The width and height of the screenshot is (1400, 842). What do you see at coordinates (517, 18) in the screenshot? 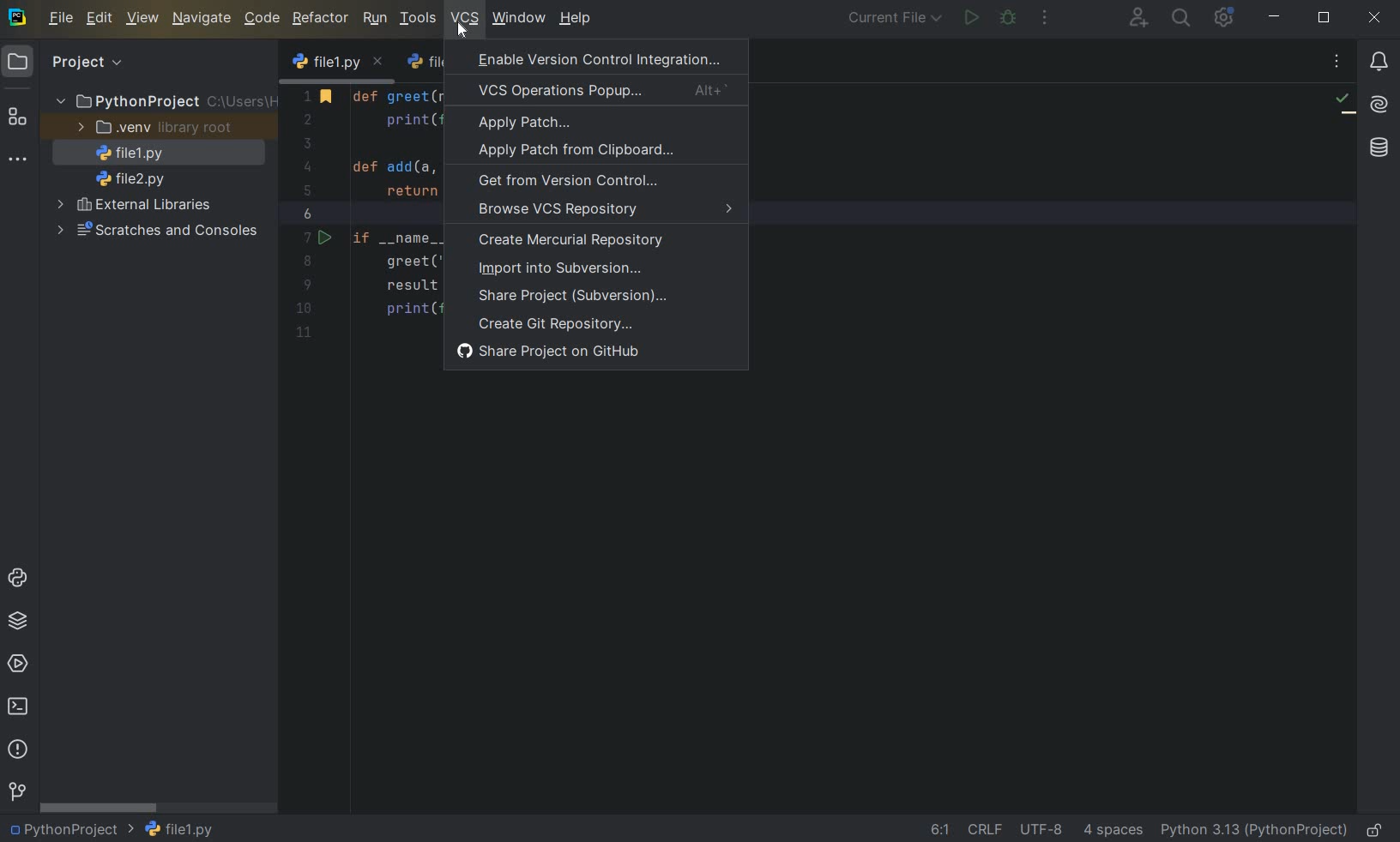
I see `window` at bounding box center [517, 18].